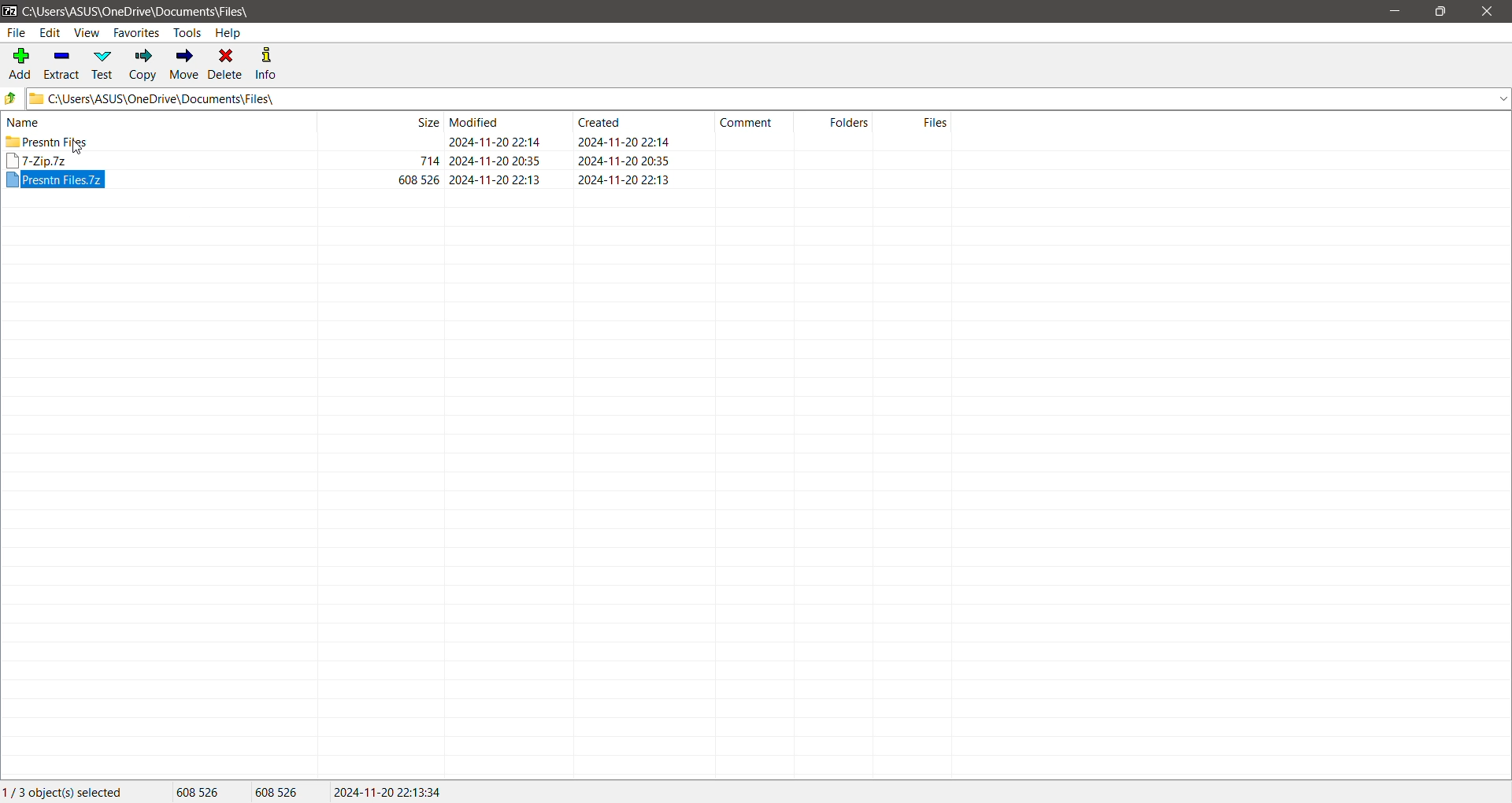 The image size is (1512, 803). I want to click on Application Logo, so click(9, 10).